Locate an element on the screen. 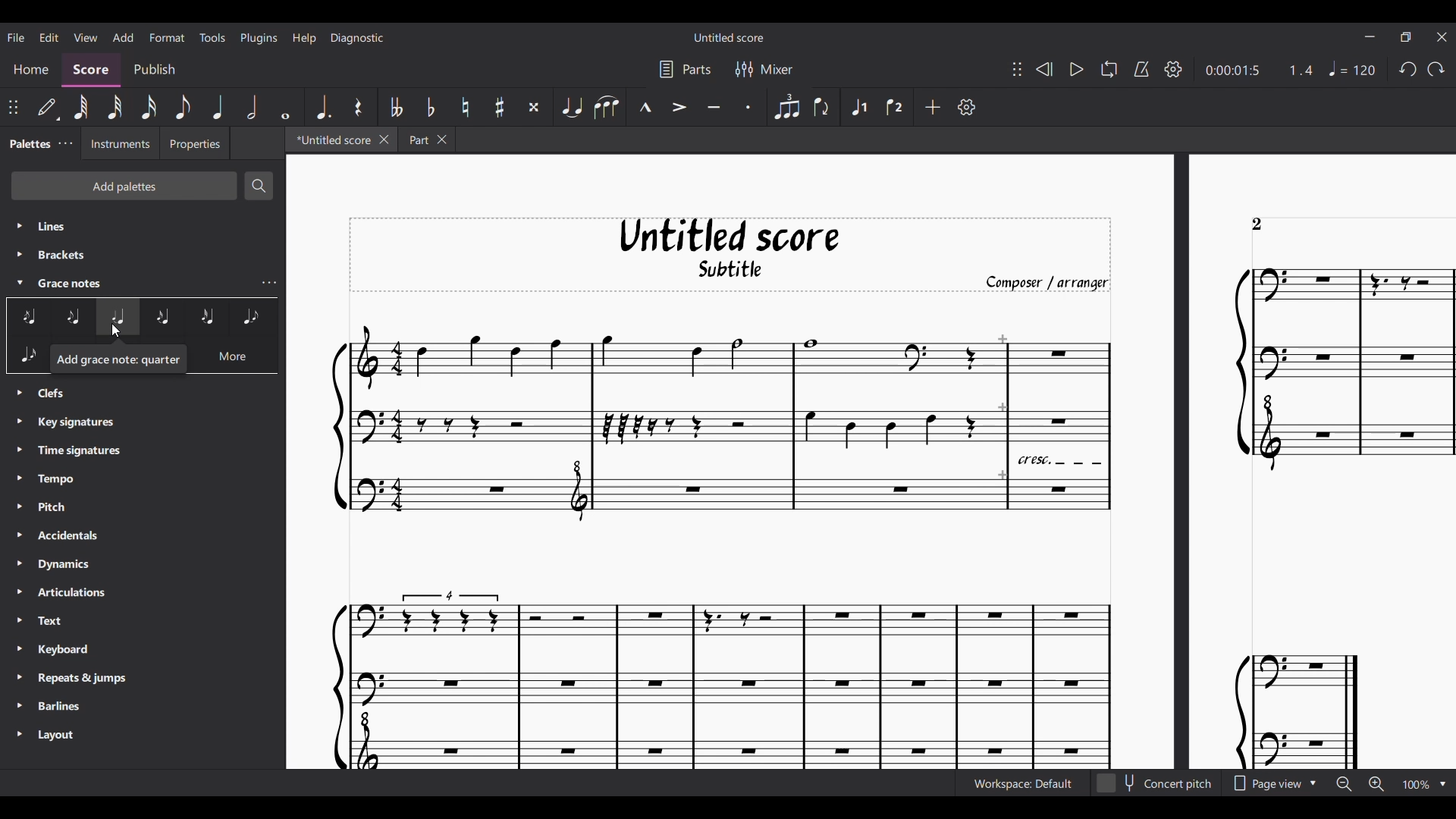 Image resolution: width=1456 pixels, height=819 pixels. Edit menu is located at coordinates (49, 36).